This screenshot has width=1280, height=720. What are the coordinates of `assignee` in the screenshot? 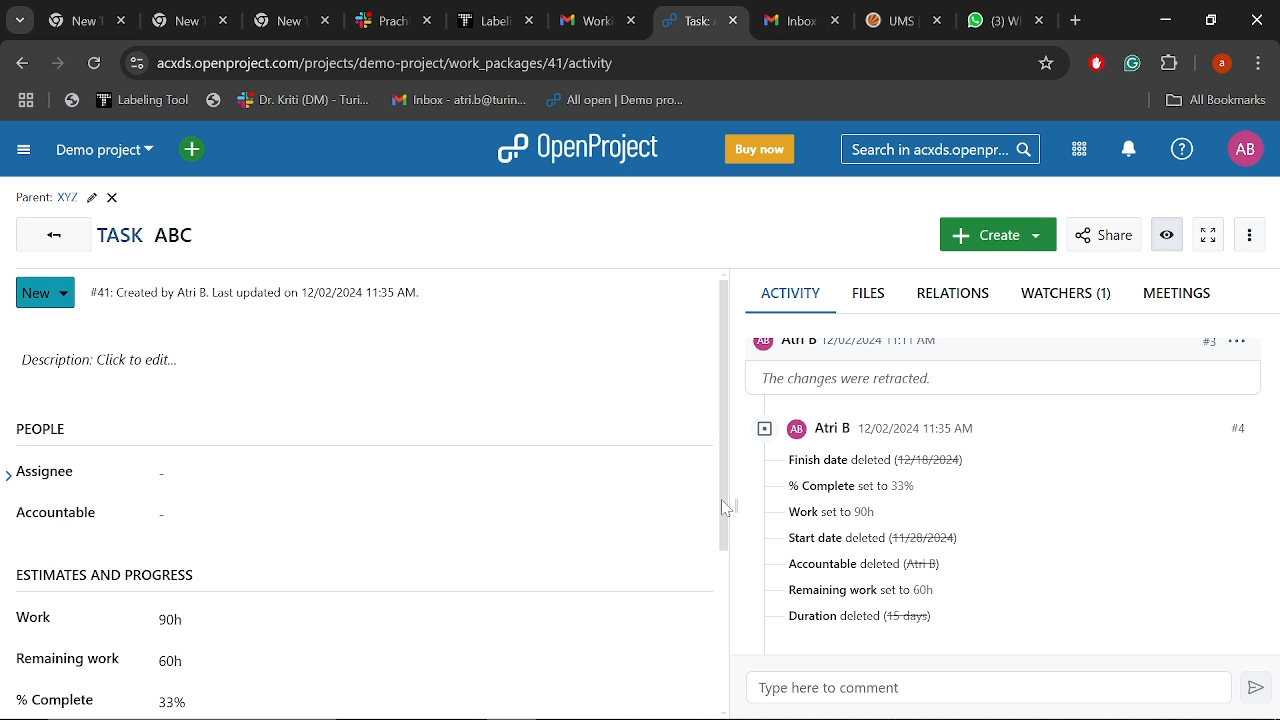 It's located at (44, 475).